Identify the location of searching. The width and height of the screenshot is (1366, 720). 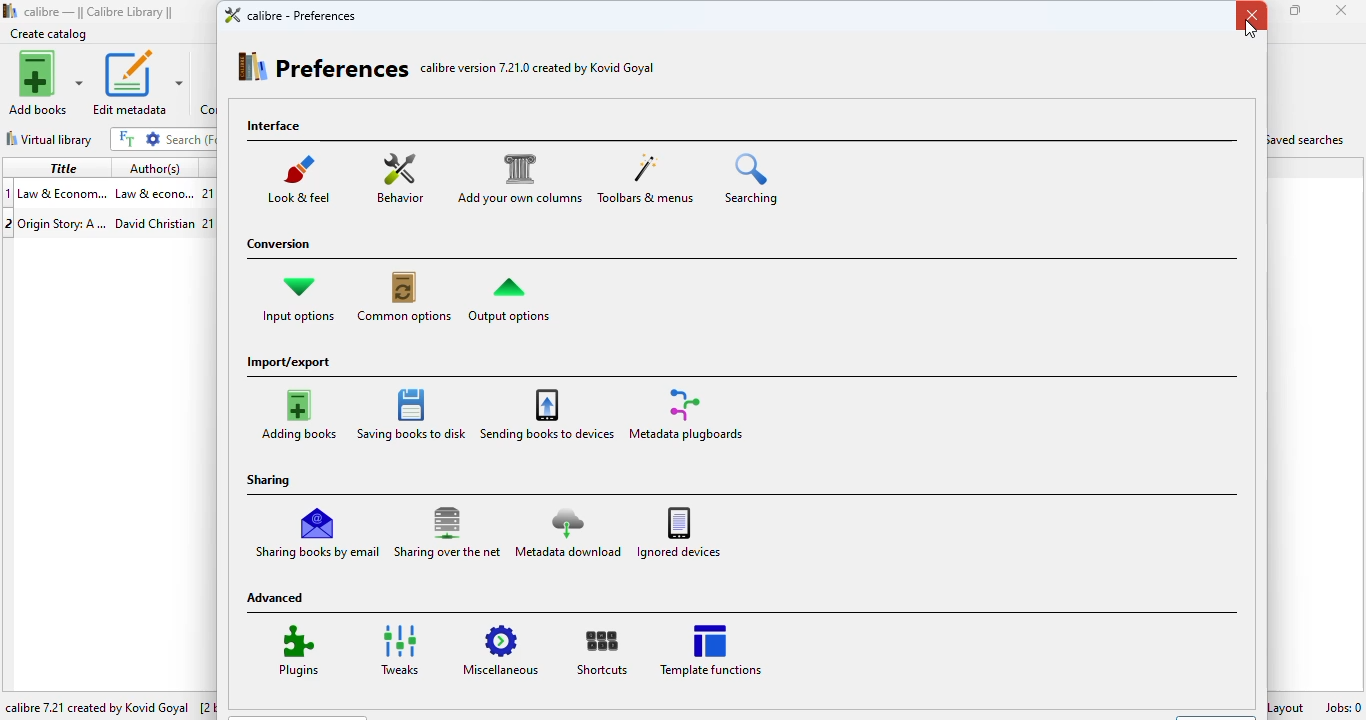
(752, 178).